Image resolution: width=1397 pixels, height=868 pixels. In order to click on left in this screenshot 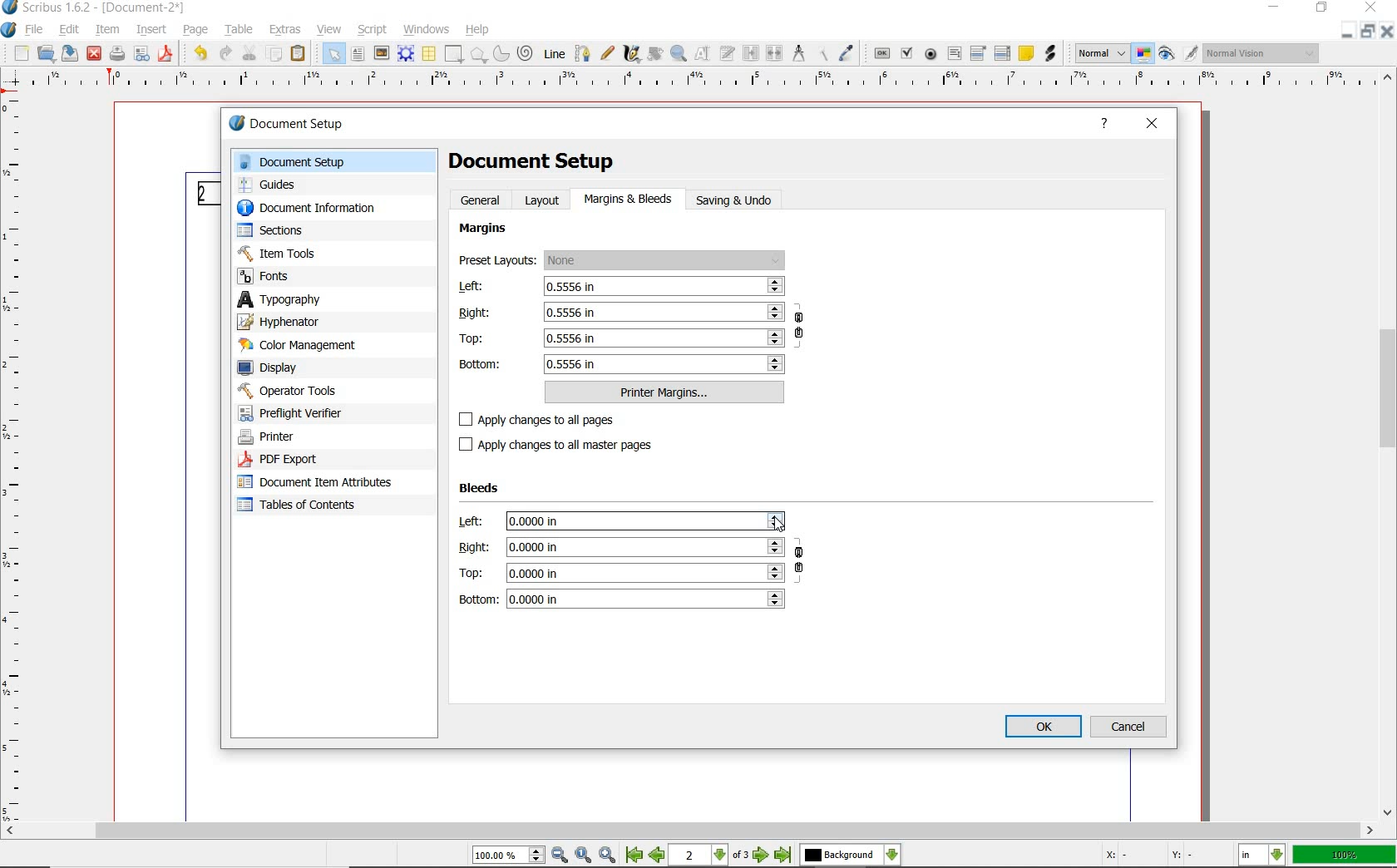, I will do `click(620, 287)`.